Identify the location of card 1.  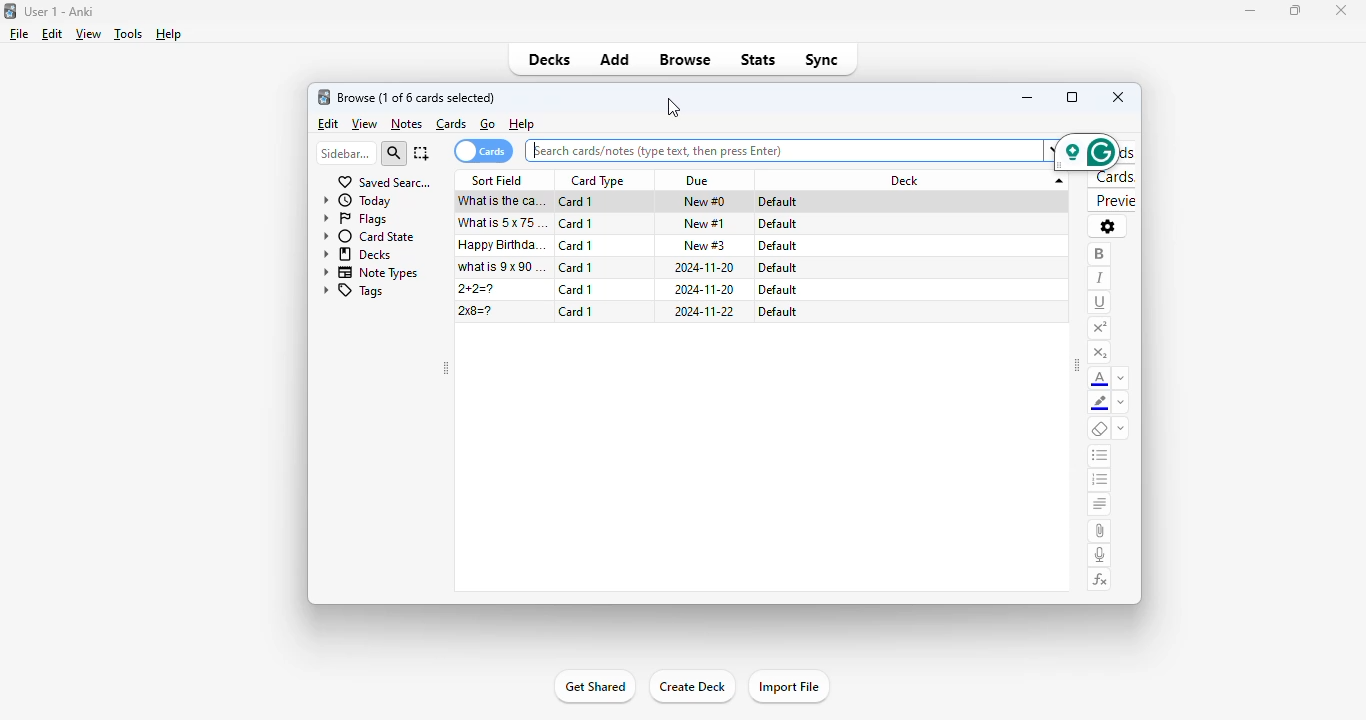
(577, 289).